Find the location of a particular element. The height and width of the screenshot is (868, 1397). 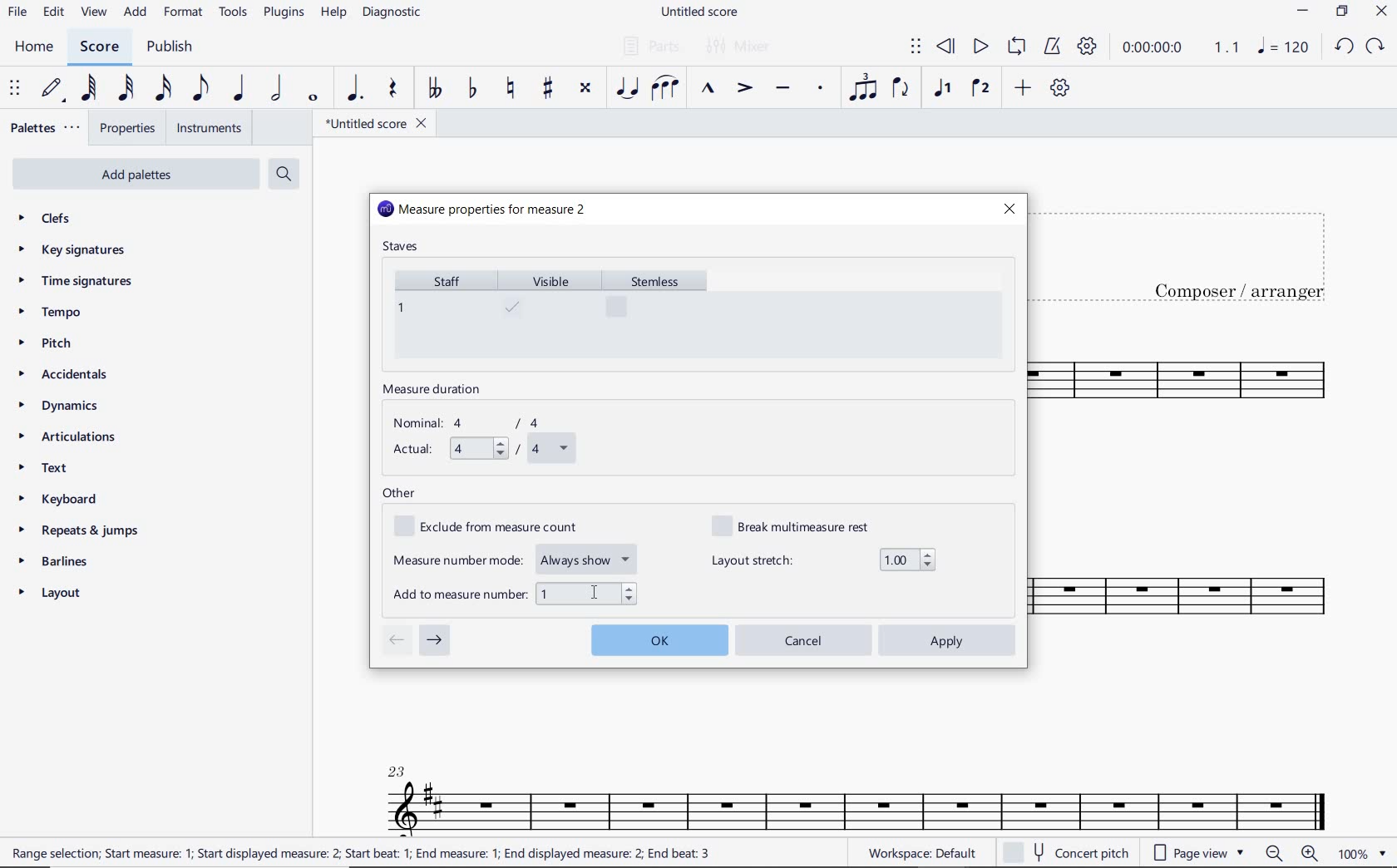

TOGGLE SHARP is located at coordinates (549, 88).